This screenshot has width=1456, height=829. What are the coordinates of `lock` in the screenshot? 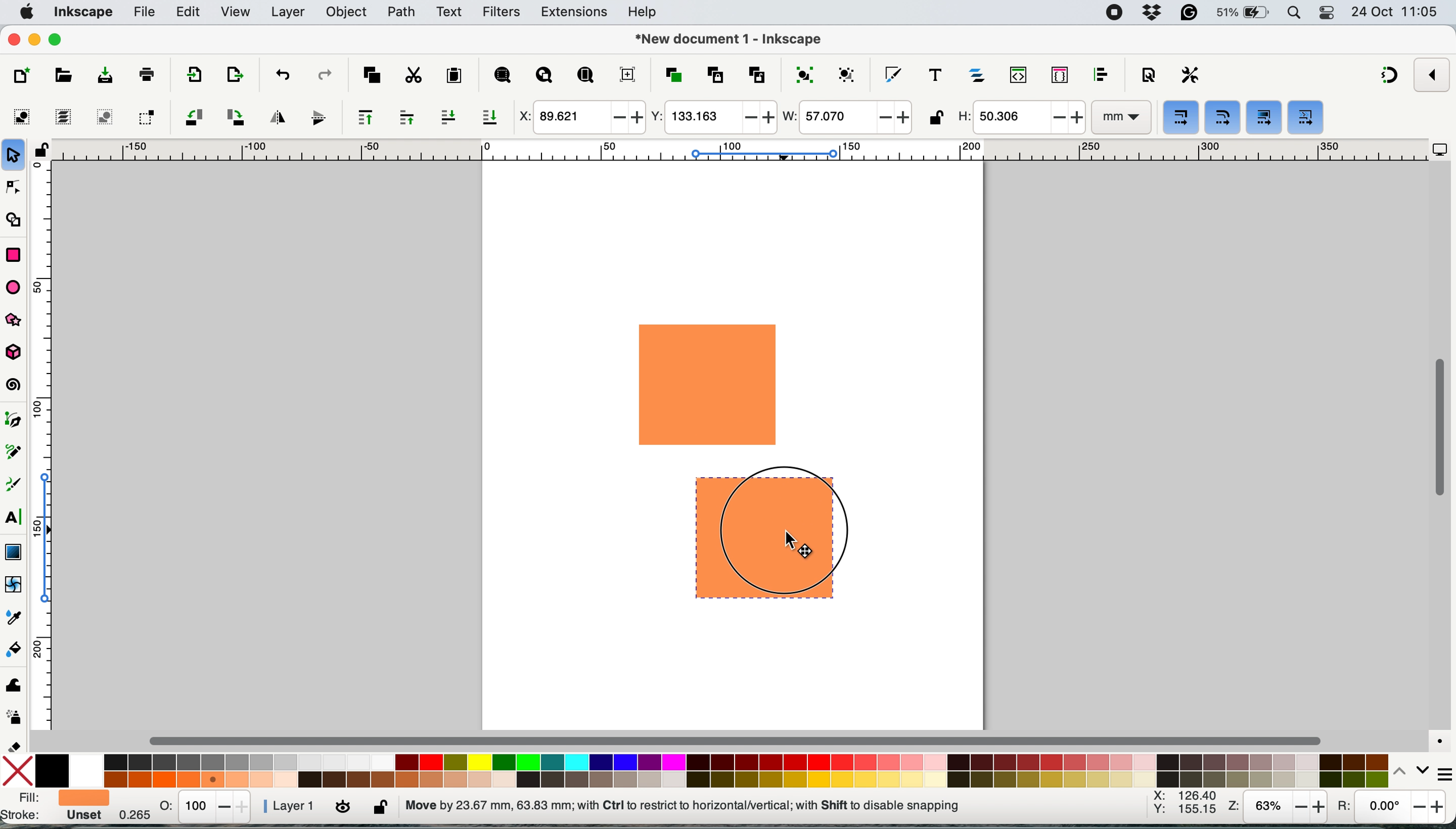 It's located at (41, 154).